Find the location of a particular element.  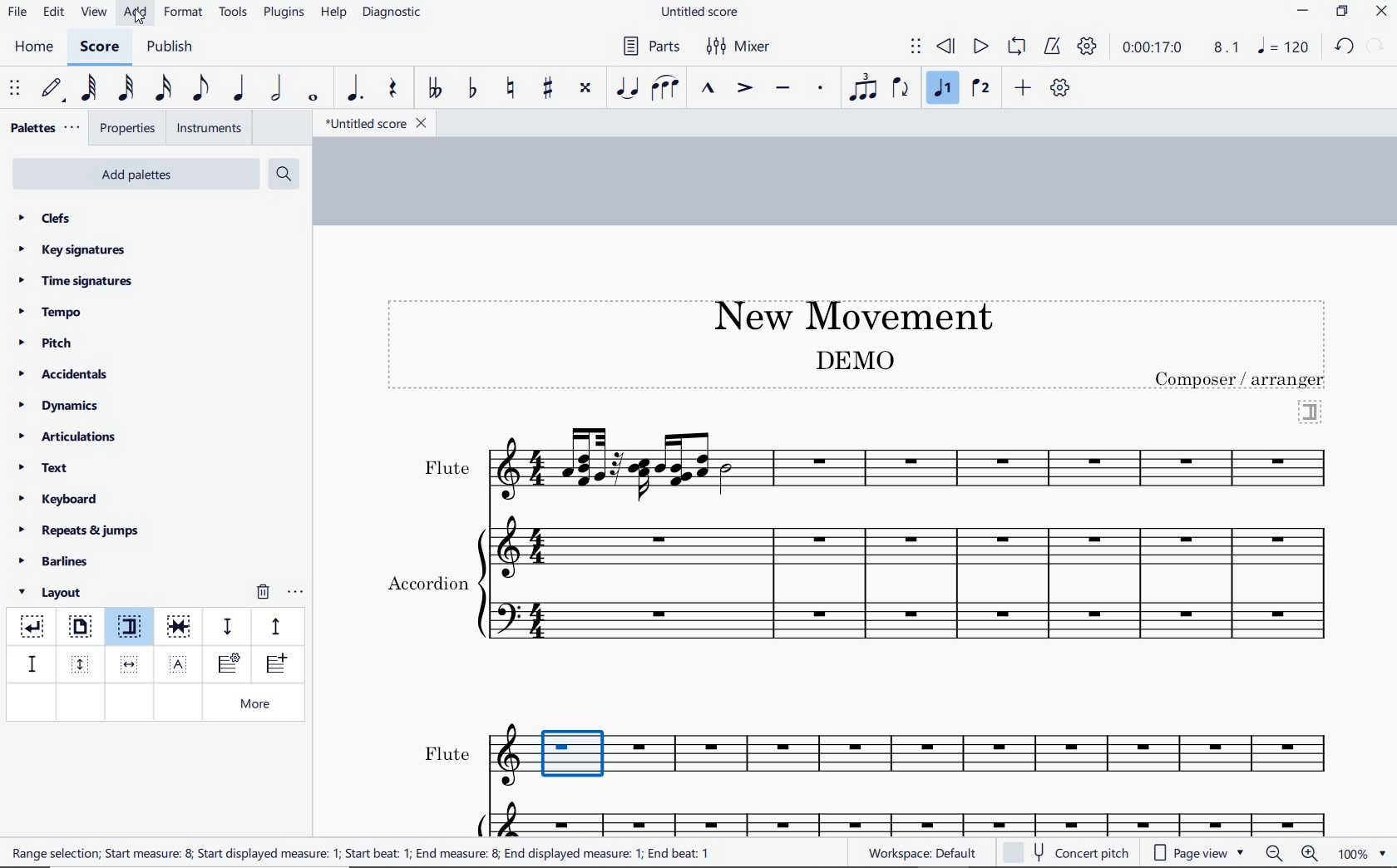

help is located at coordinates (332, 13).